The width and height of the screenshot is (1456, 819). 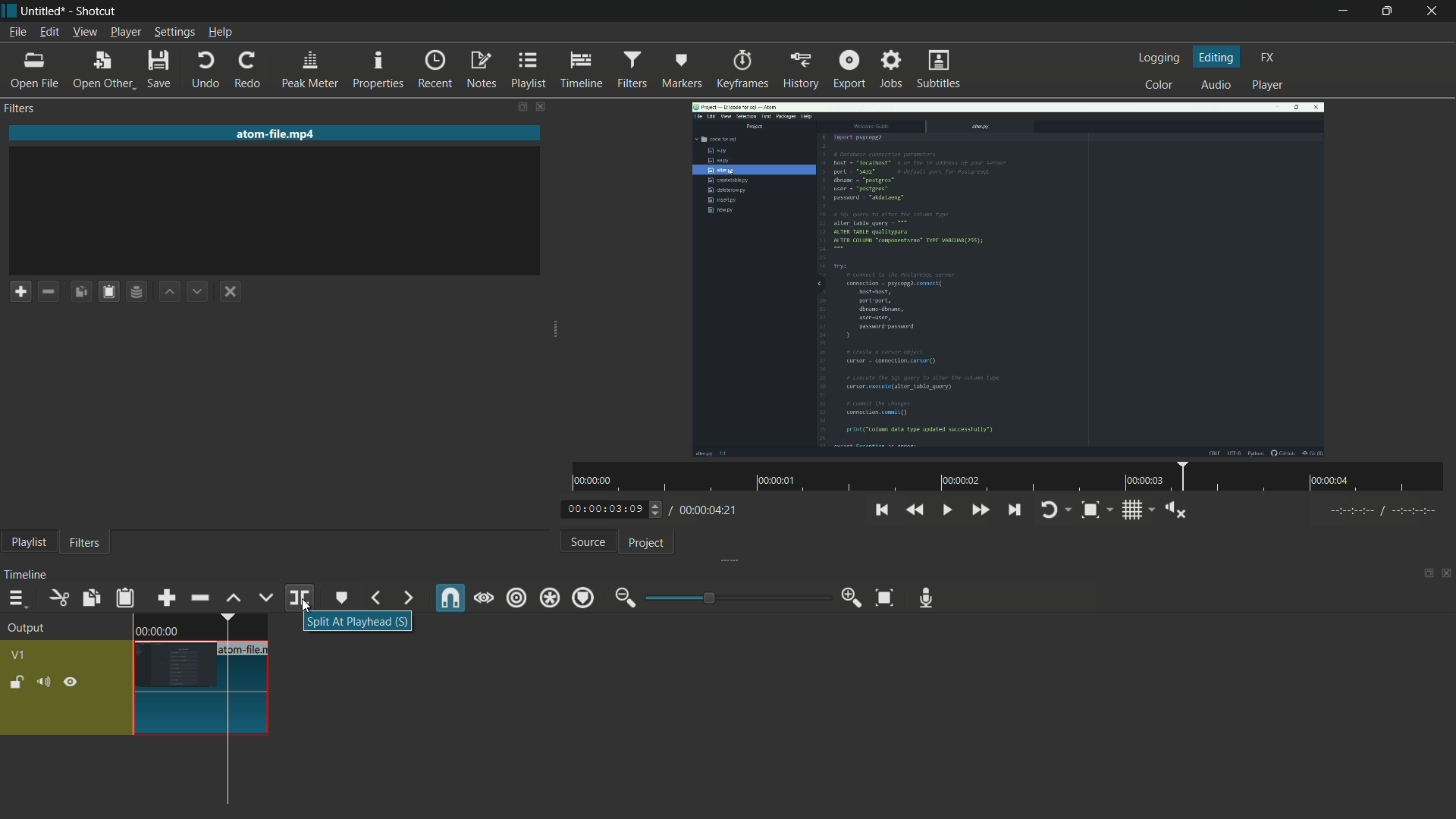 What do you see at coordinates (90, 598) in the screenshot?
I see `copy` at bounding box center [90, 598].